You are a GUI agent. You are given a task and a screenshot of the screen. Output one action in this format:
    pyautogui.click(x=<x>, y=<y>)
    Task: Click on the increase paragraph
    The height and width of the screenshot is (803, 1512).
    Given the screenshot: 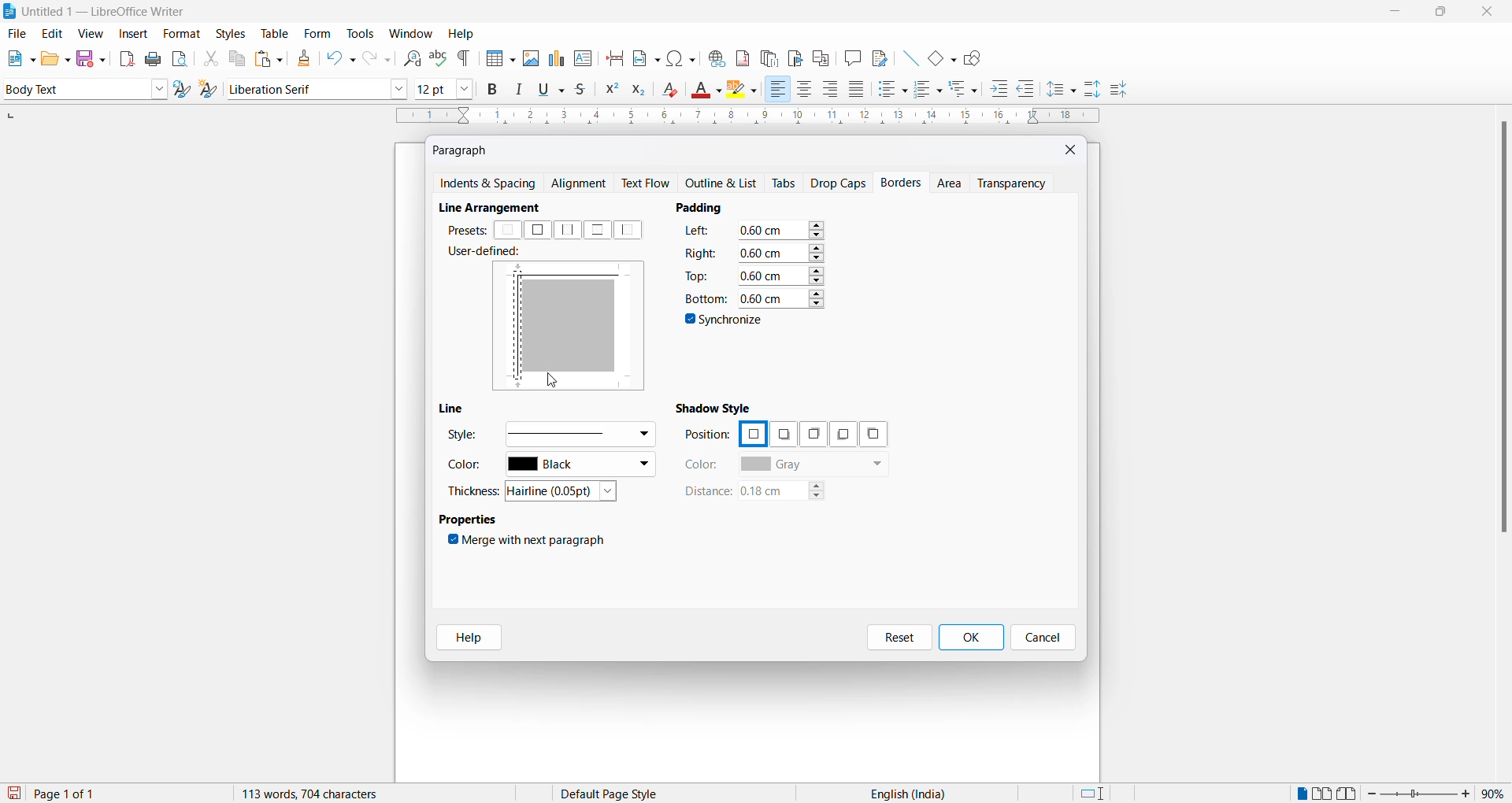 What is the action you would take?
    pyautogui.click(x=1093, y=90)
    